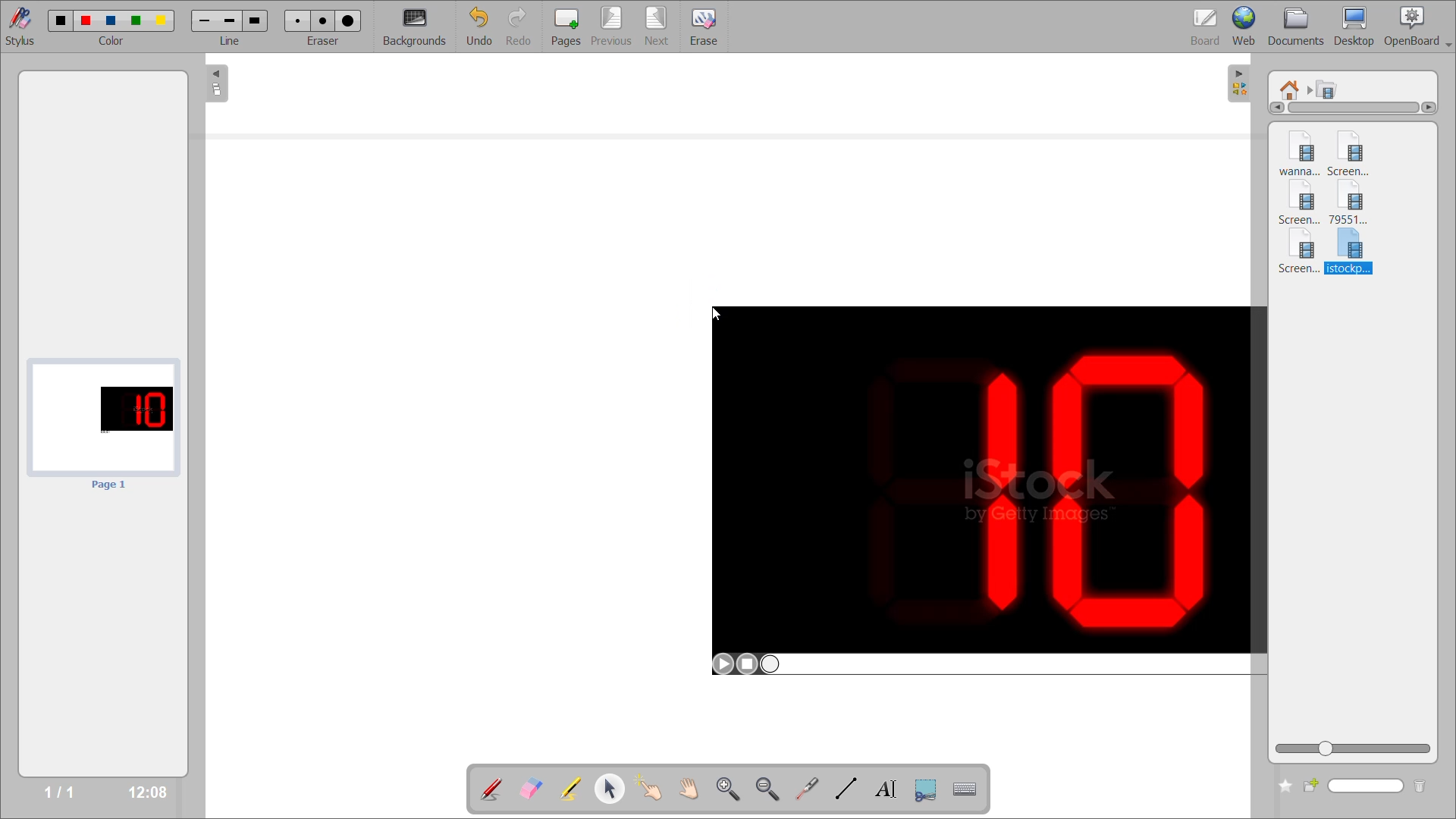 The image size is (1456, 819). What do you see at coordinates (1358, 151) in the screenshot?
I see `video 2` at bounding box center [1358, 151].